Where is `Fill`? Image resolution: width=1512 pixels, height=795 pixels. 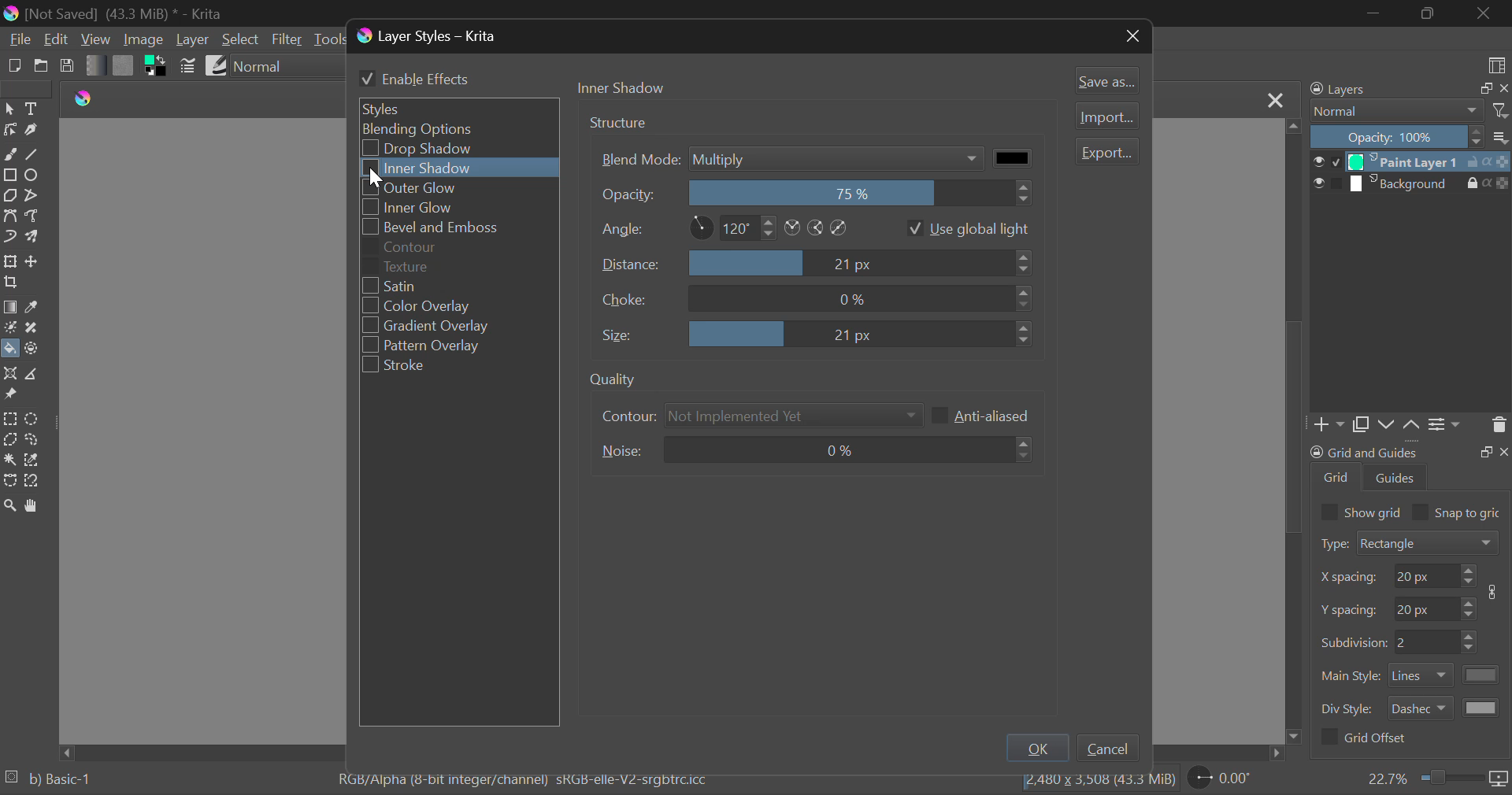
Fill is located at coordinates (9, 349).